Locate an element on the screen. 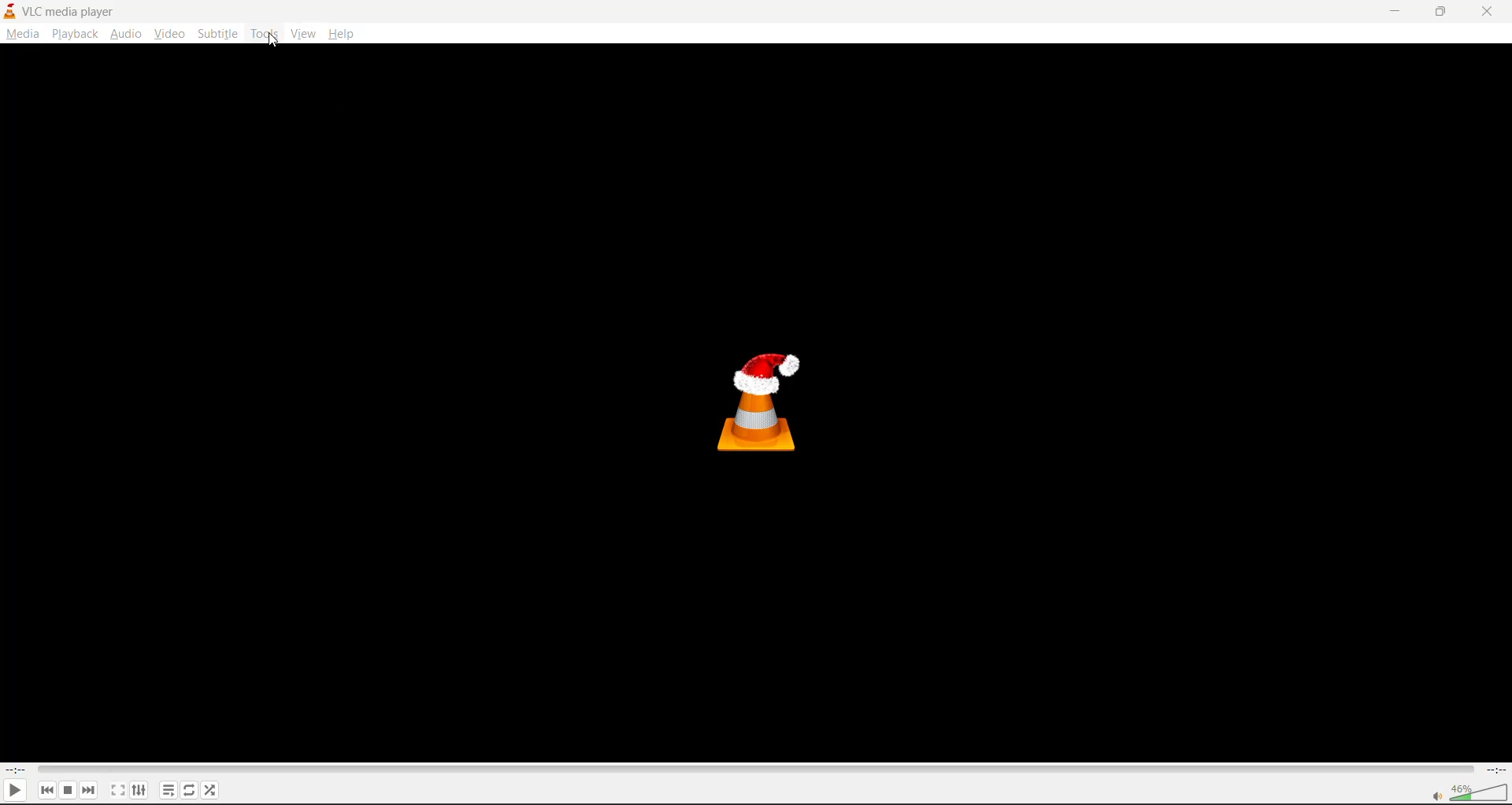 The image size is (1512, 805). stop is located at coordinates (69, 789).